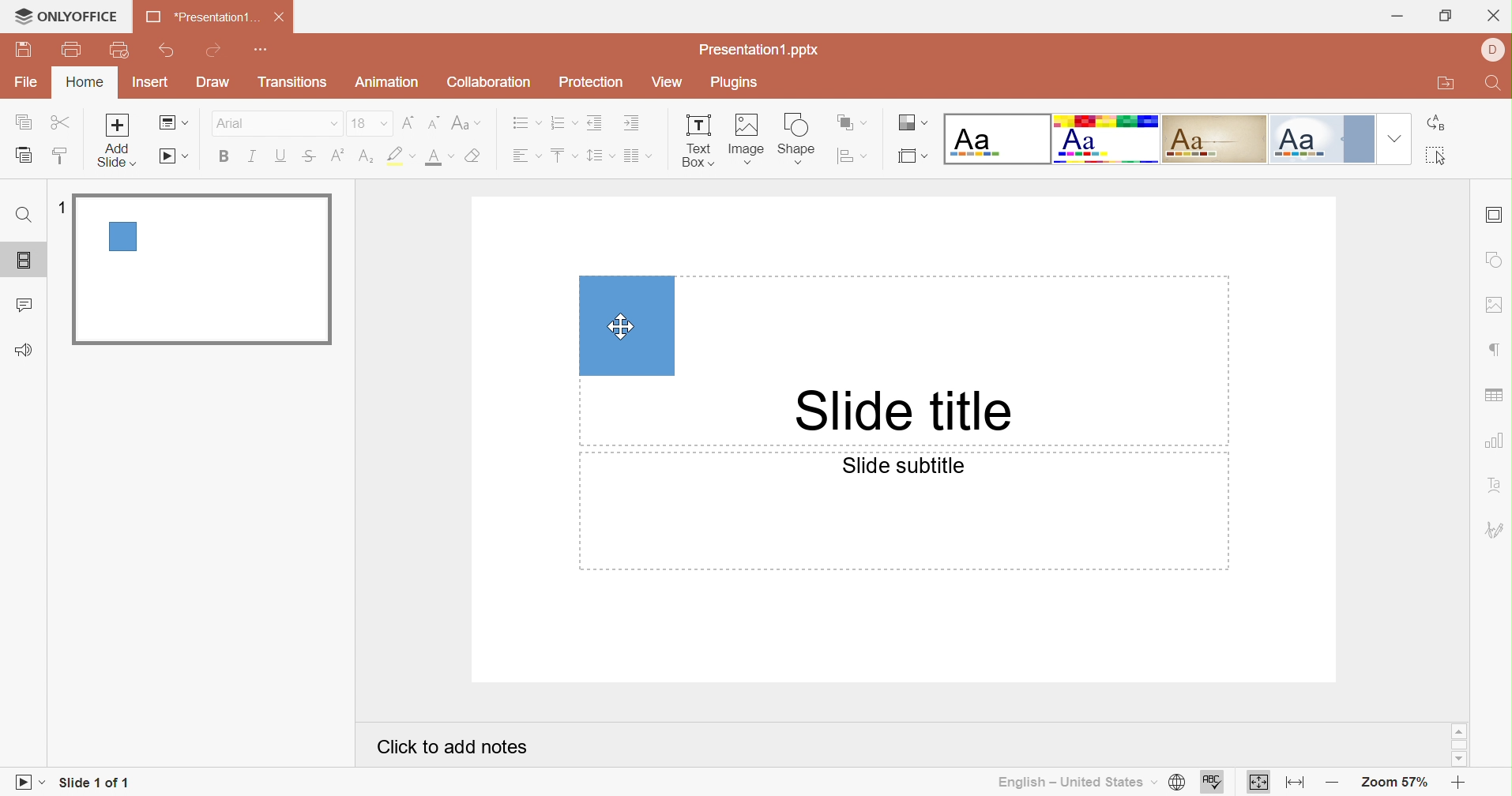  What do you see at coordinates (999, 139) in the screenshot?
I see `Blank` at bounding box center [999, 139].